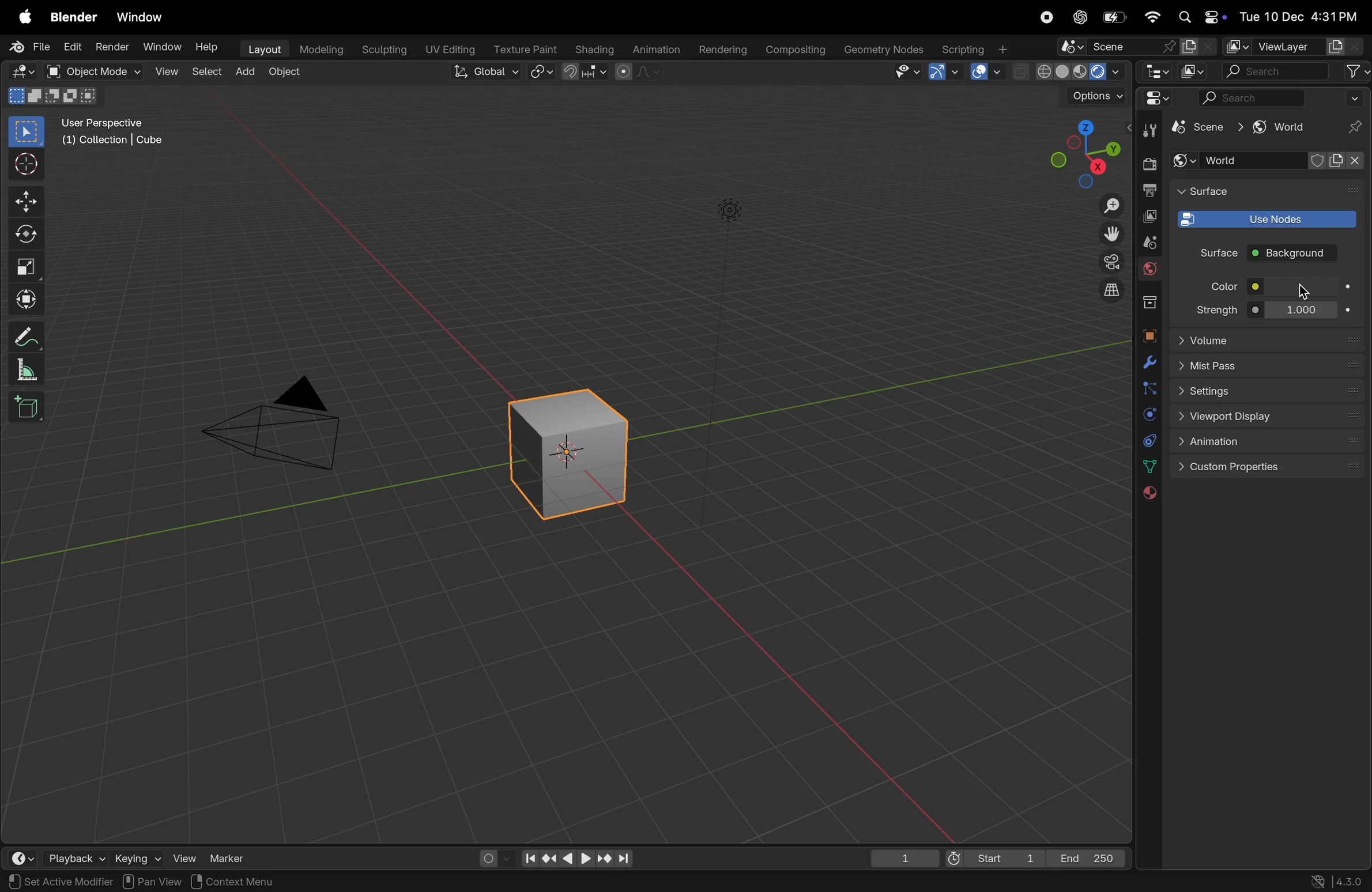  Describe the element at coordinates (1088, 857) in the screenshot. I see `End 250` at that location.